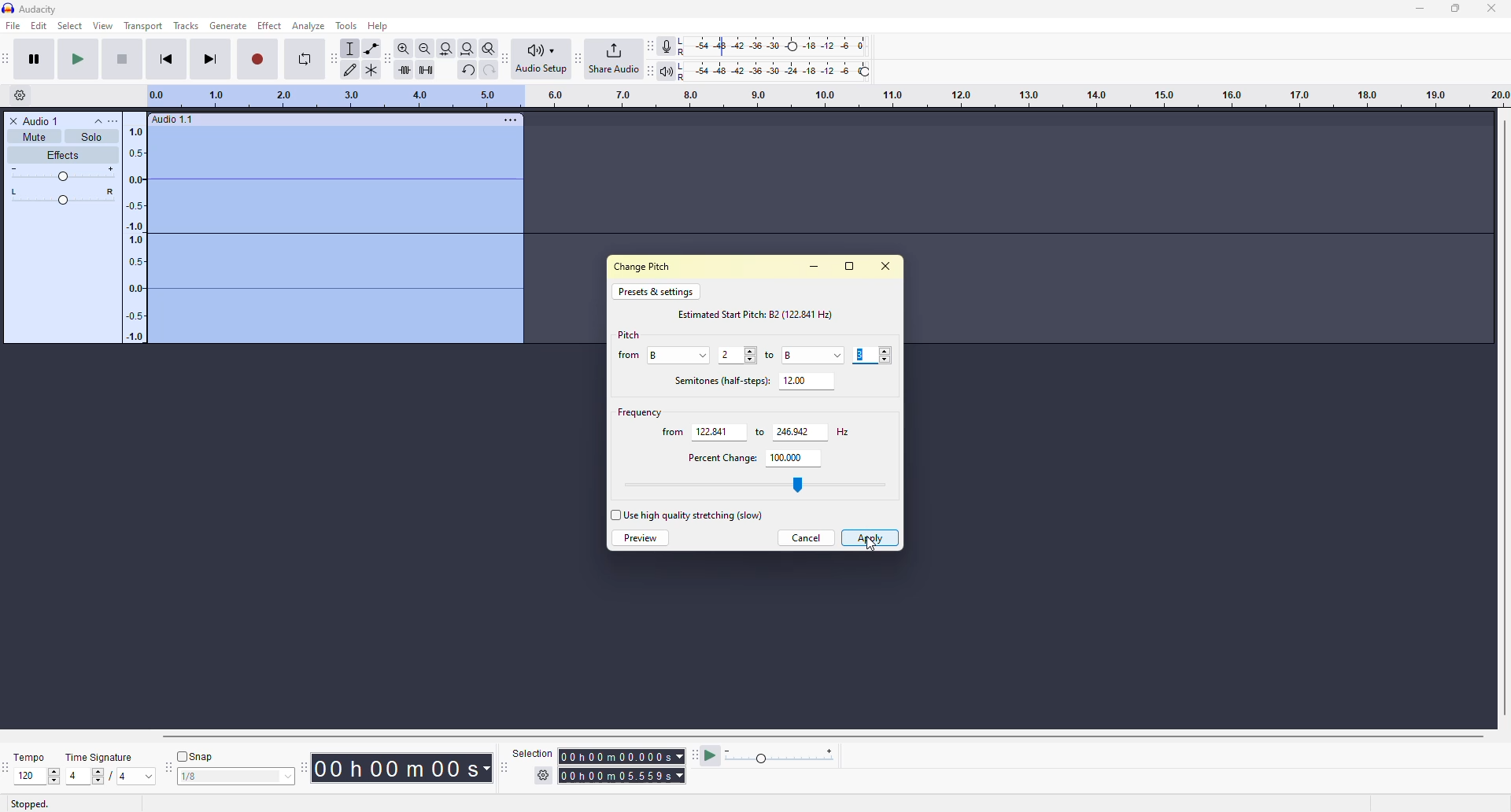 The image size is (1511, 812). What do you see at coordinates (886, 359) in the screenshot?
I see `down` at bounding box center [886, 359].